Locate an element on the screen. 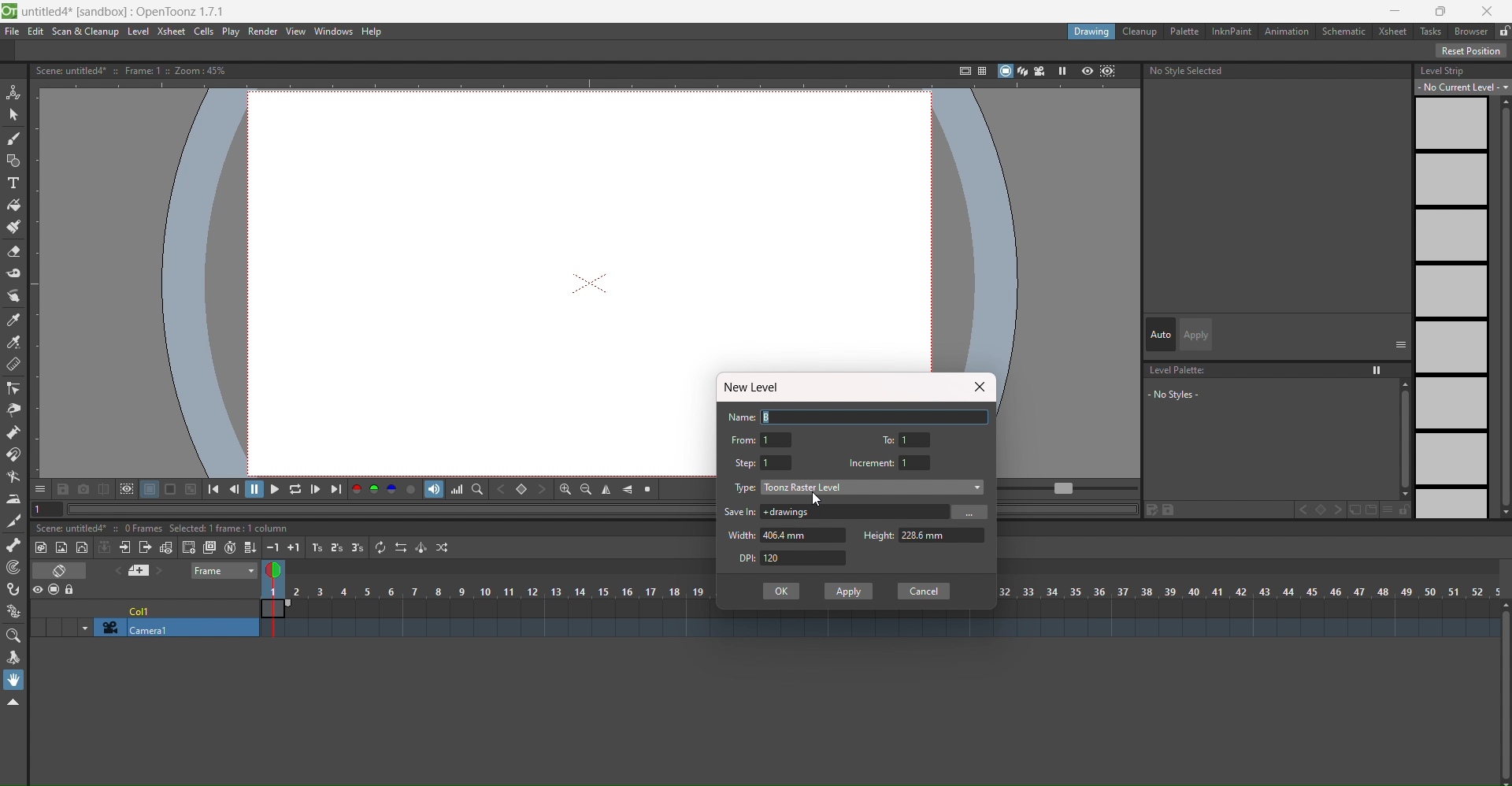 The width and height of the screenshot is (1512, 786). iron tool is located at coordinates (13, 500).